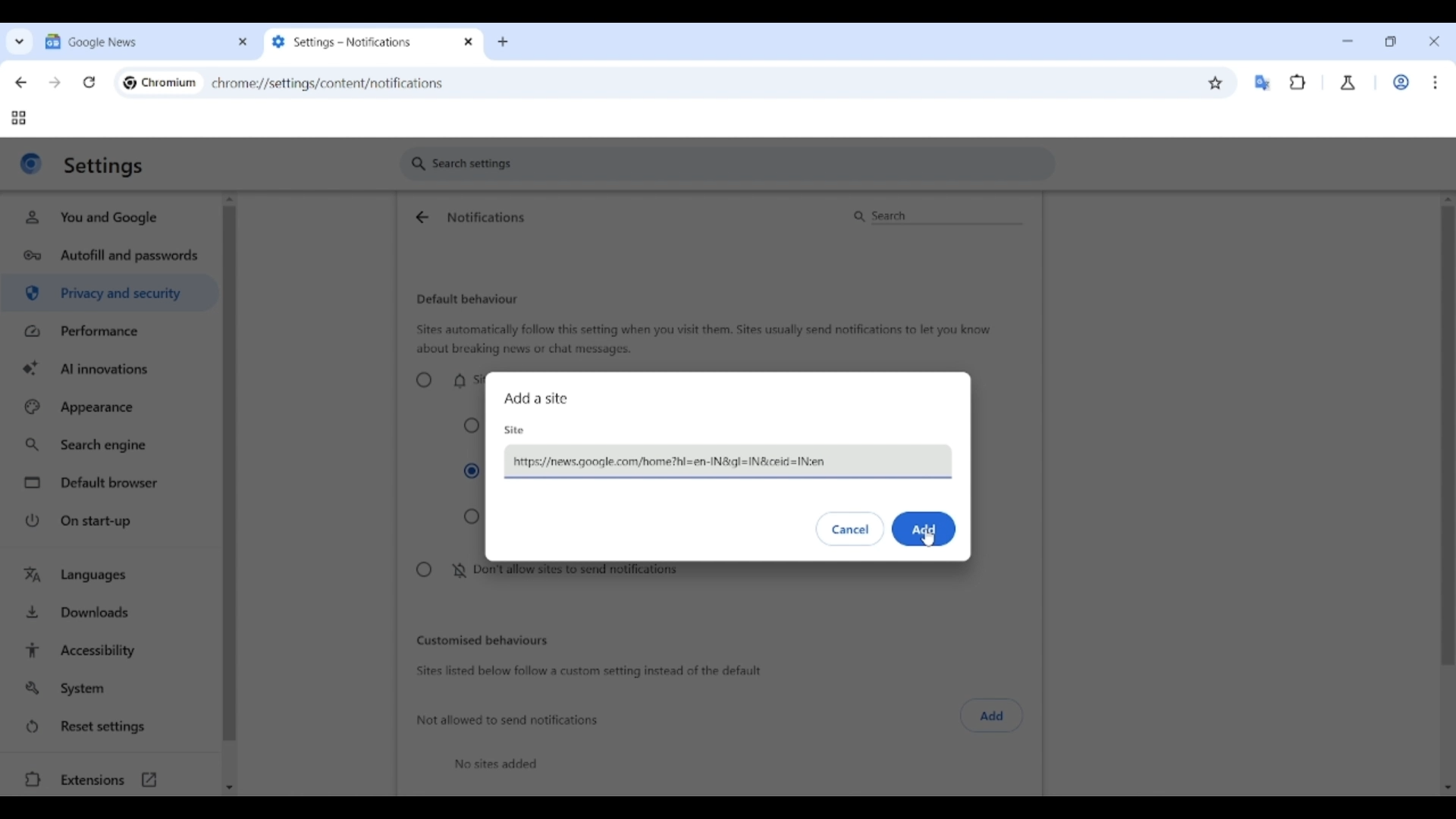 The image size is (1456, 819). What do you see at coordinates (110, 407) in the screenshot?
I see `Appearance` at bounding box center [110, 407].